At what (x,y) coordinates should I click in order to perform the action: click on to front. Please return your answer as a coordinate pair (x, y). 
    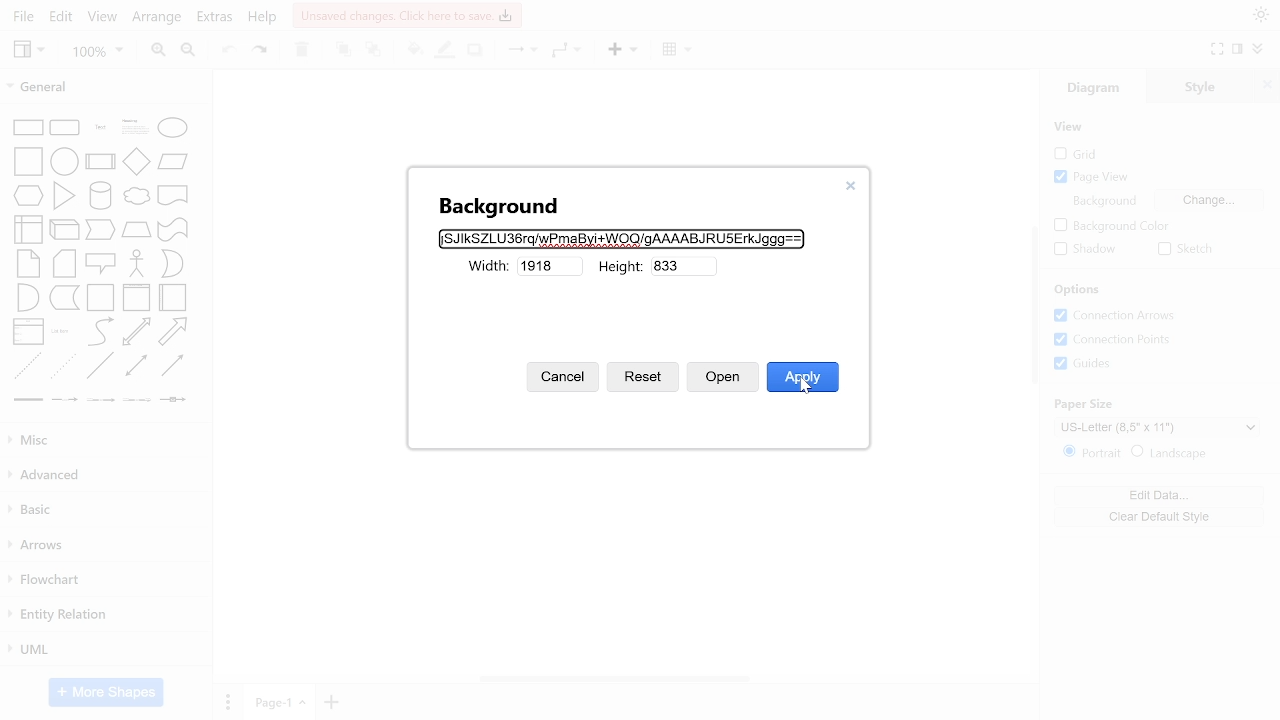
    Looking at the image, I should click on (343, 50).